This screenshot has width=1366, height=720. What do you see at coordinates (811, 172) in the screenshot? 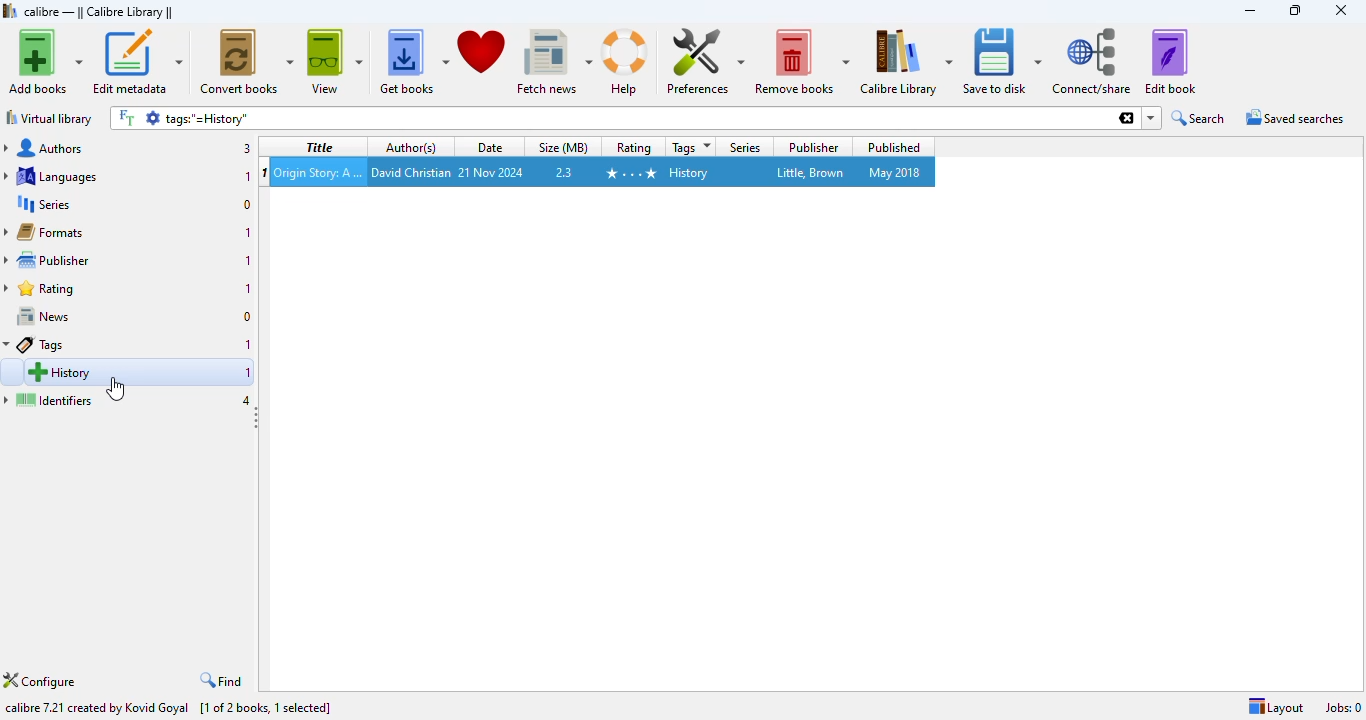
I see `little, brown` at bounding box center [811, 172].